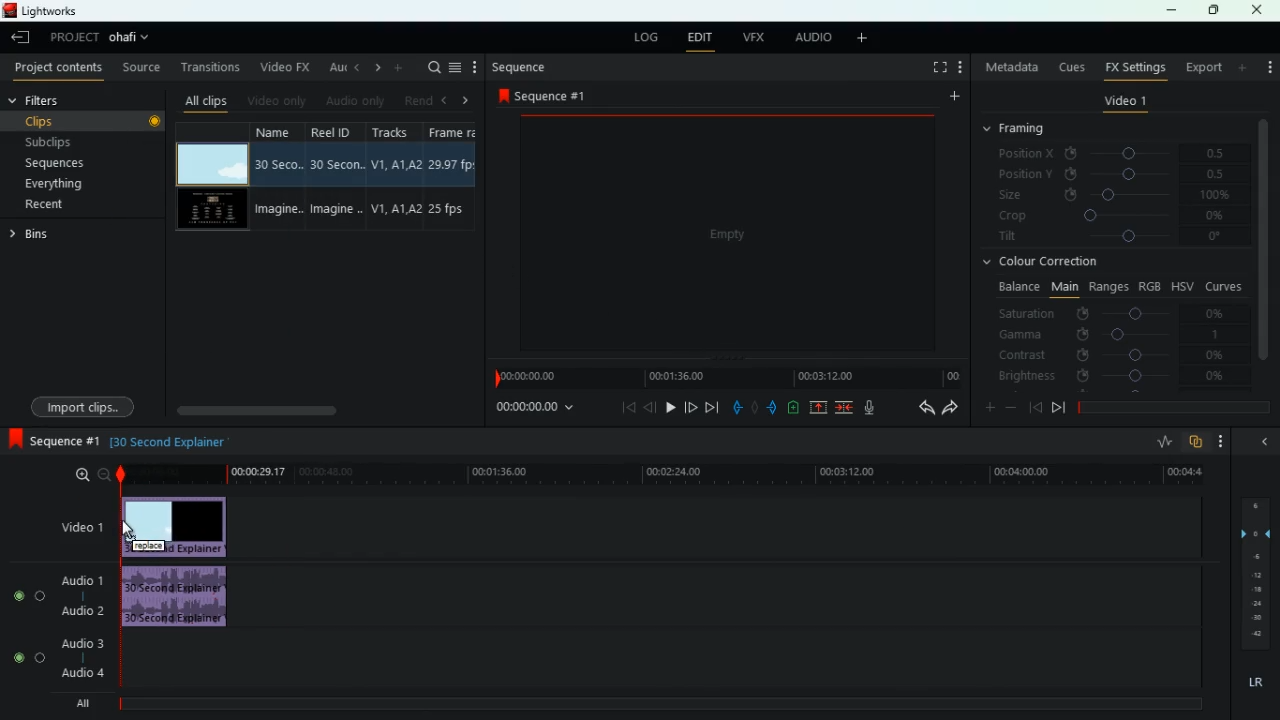 The height and width of the screenshot is (720, 1280). What do you see at coordinates (279, 178) in the screenshot?
I see `name` at bounding box center [279, 178].